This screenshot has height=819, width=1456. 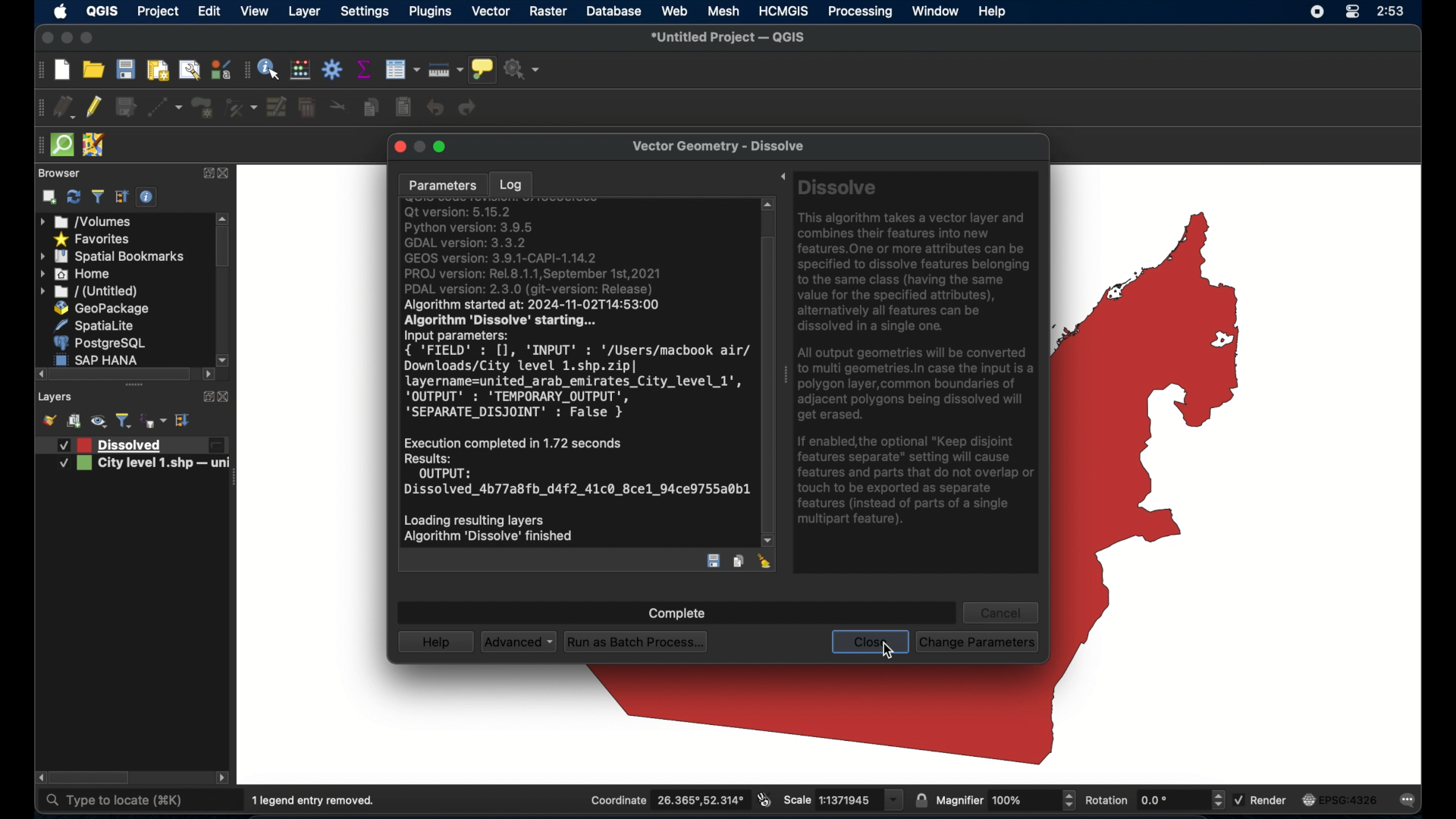 I want to click on drag handle, so click(x=237, y=476).